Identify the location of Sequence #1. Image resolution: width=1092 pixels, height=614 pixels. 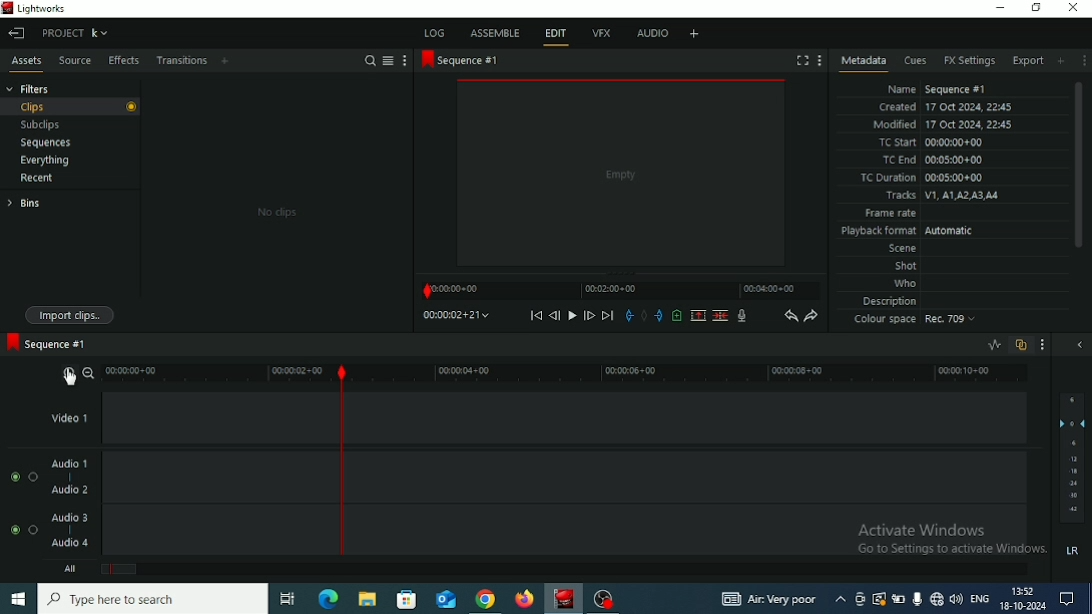
(461, 61).